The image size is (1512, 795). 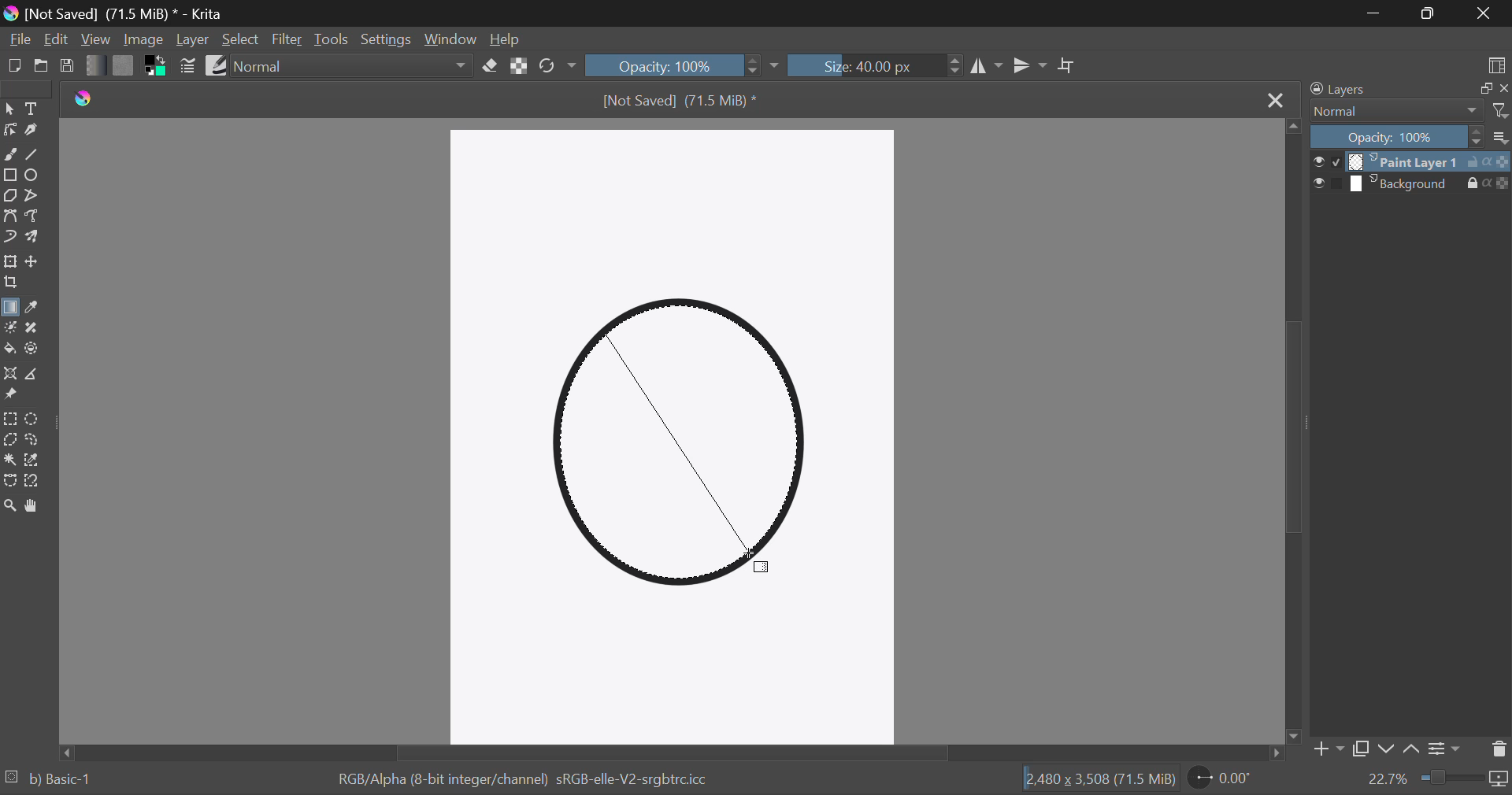 What do you see at coordinates (9, 439) in the screenshot?
I see `Polygon Selection Tool` at bounding box center [9, 439].